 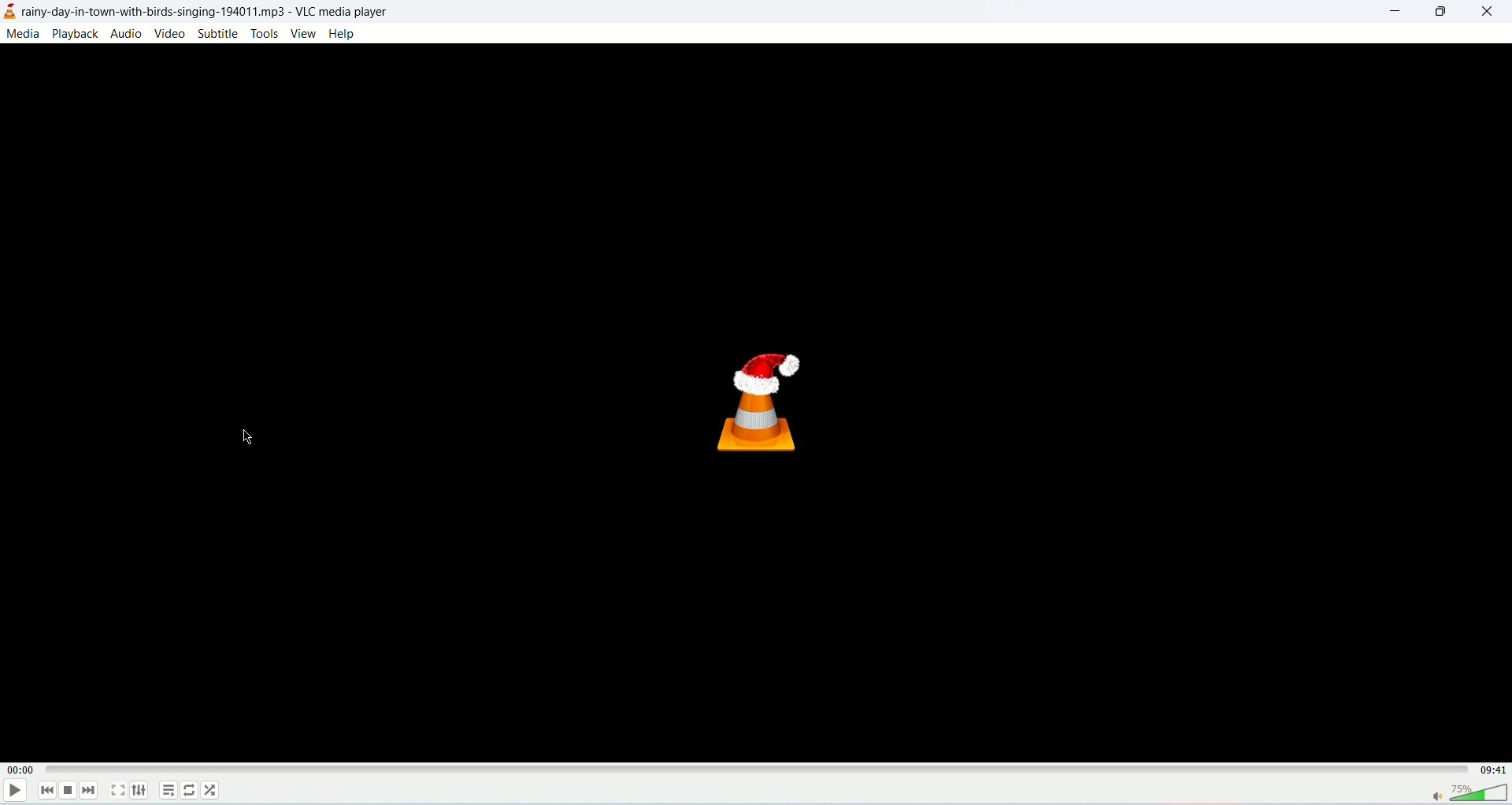 I want to click on close, so click(x=1488, y=12).